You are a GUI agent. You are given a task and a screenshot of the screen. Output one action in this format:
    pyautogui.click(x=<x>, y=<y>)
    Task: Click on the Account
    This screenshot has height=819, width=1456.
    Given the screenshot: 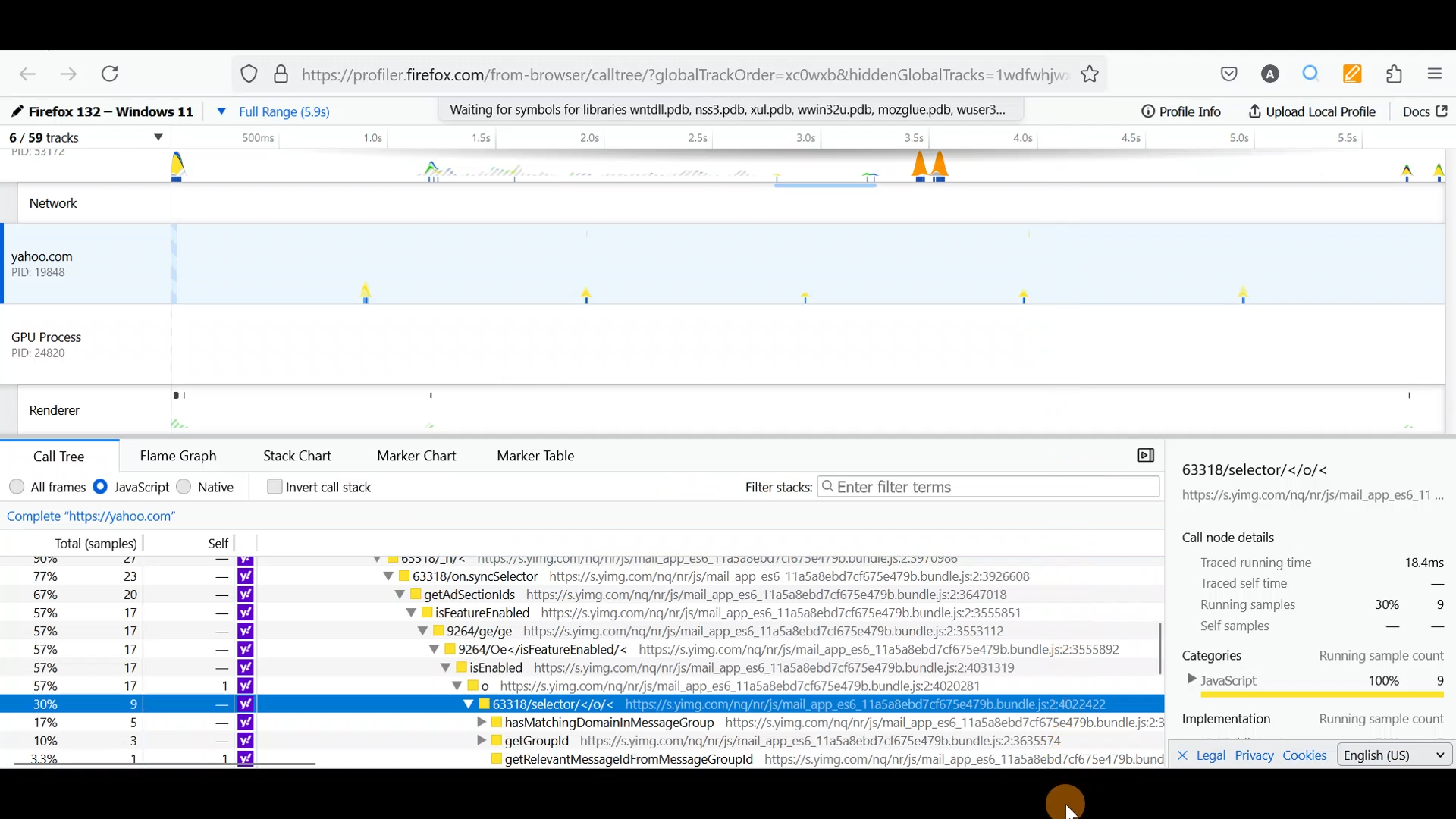 What is the action you would take?
    pyautogui.click(x=1271, y=75)
    